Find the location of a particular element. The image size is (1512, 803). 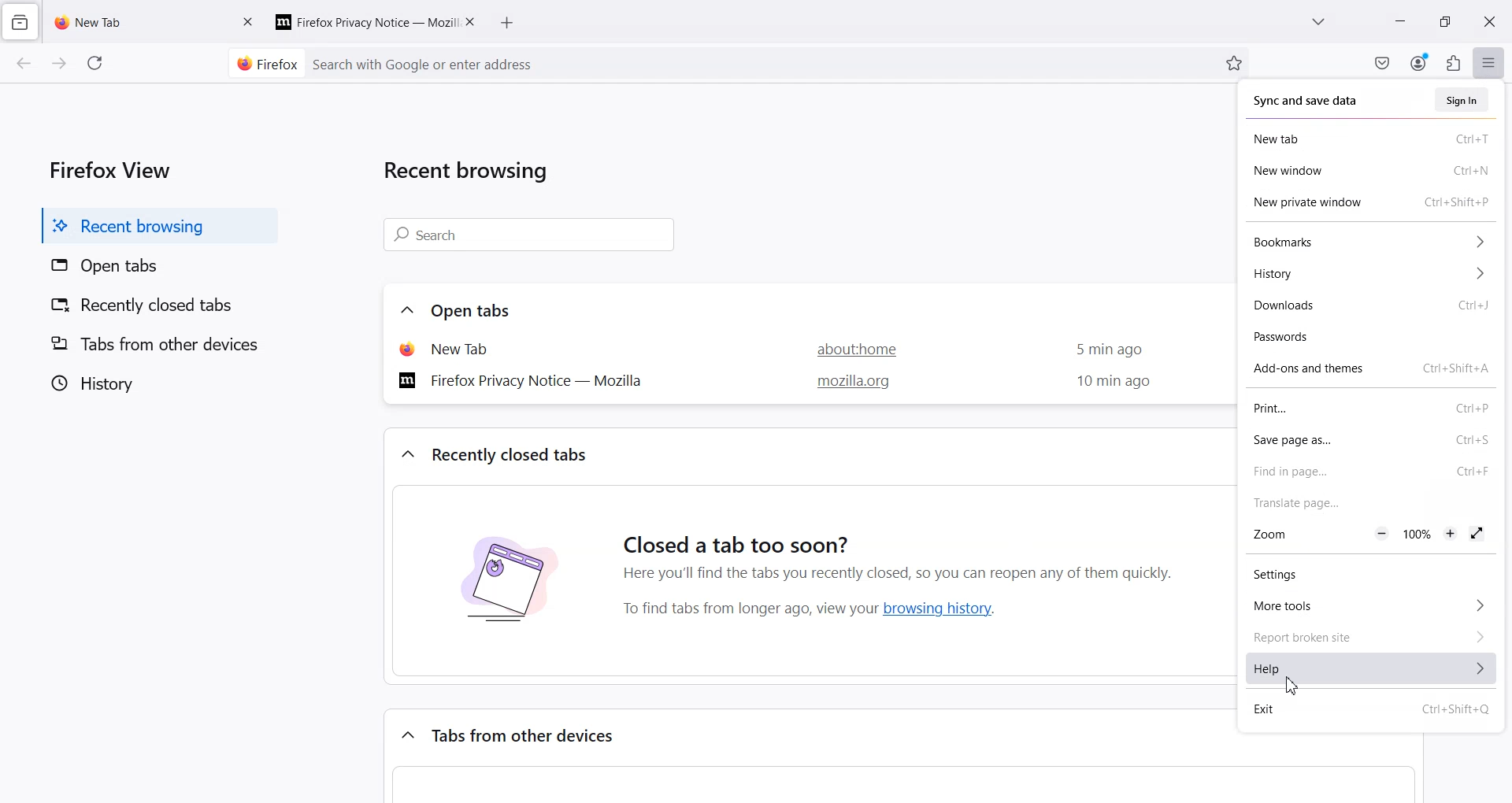

Menu is located at coordinates (1489, 62).